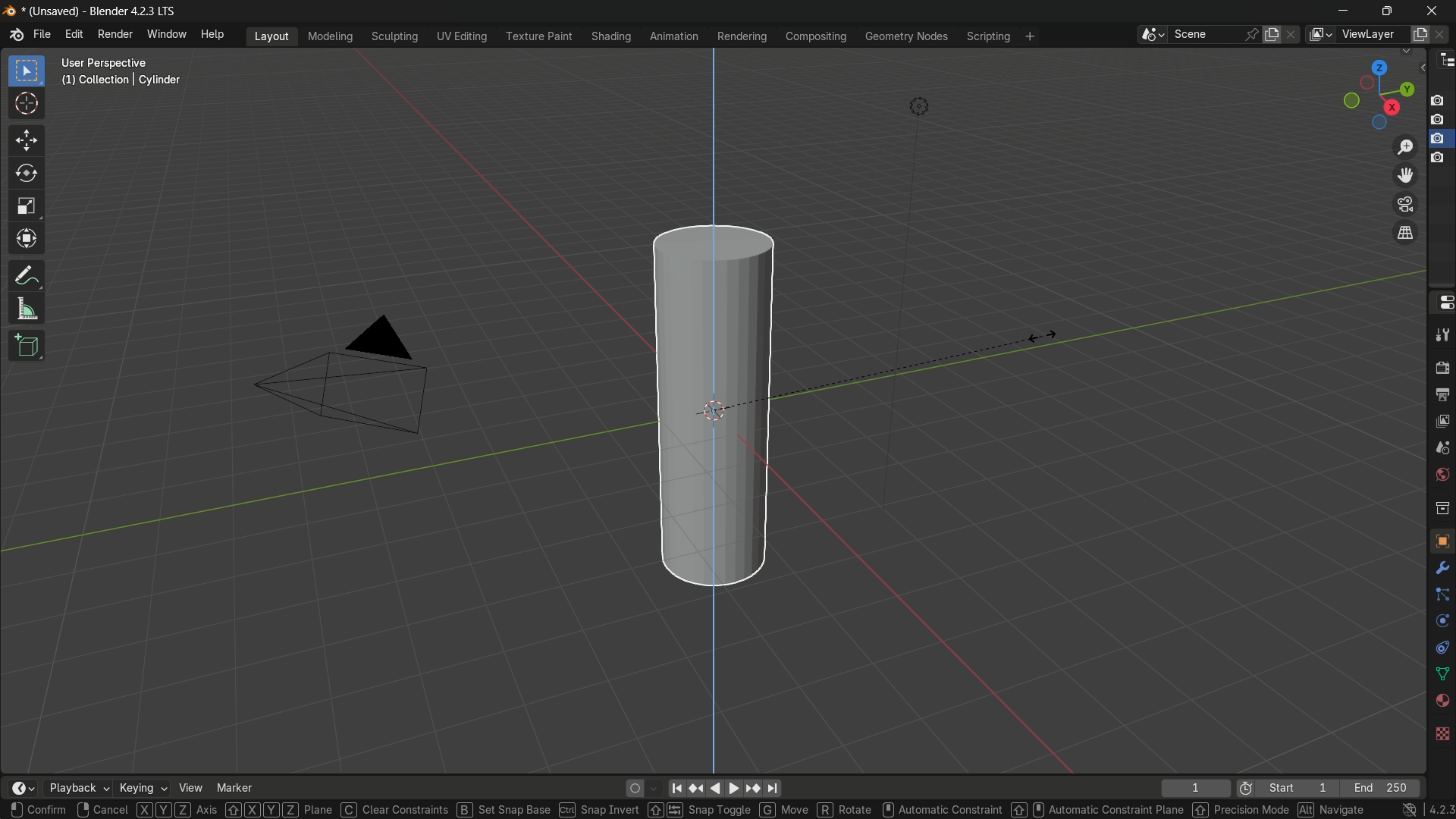 The image size is (1456, 819). Describe the element at coordinates (816, 38) in the screenshot. I see `compositing` at that location.